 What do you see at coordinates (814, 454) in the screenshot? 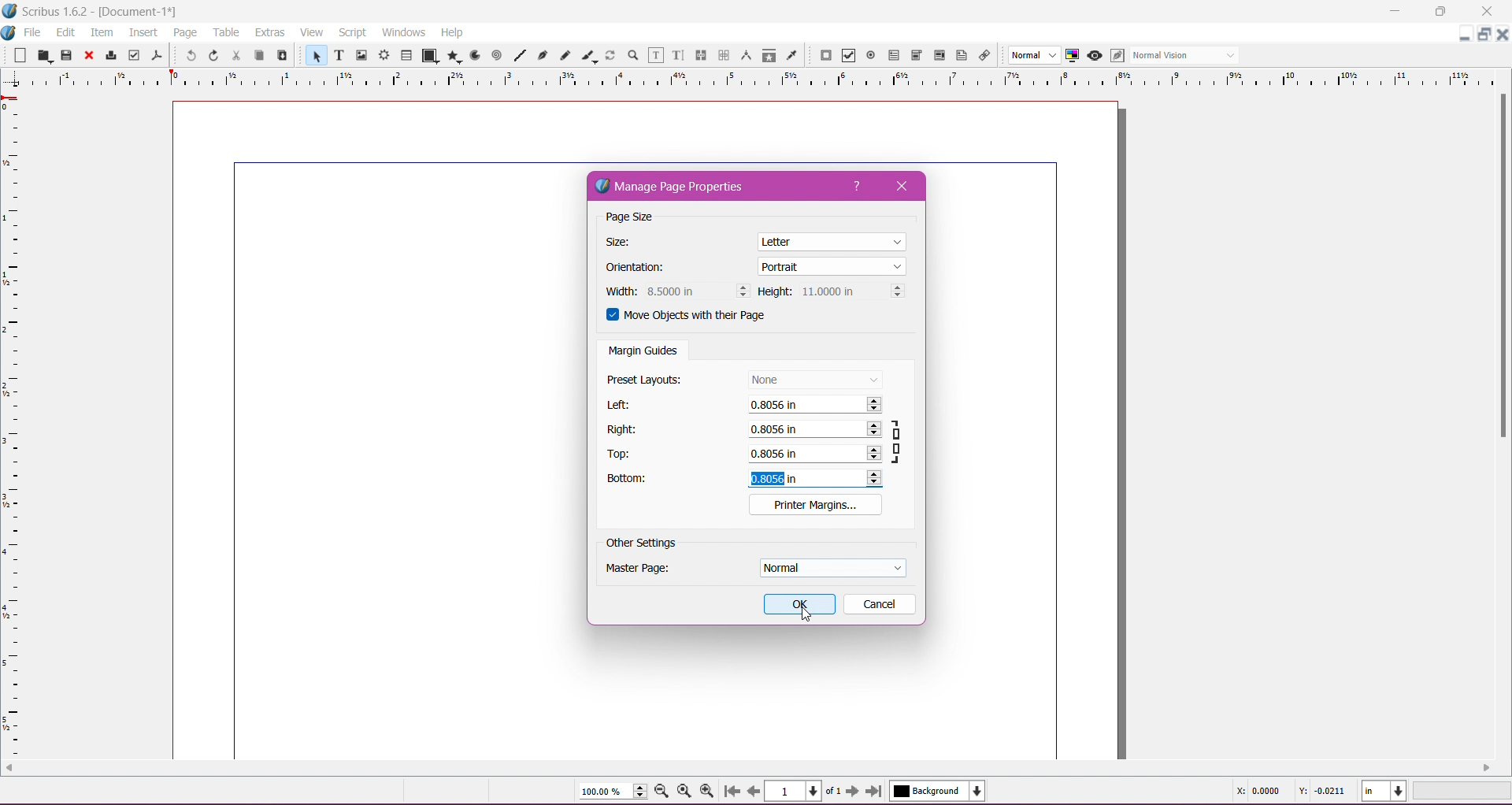
I see `Set top margin` at bounding box center [814, 454].